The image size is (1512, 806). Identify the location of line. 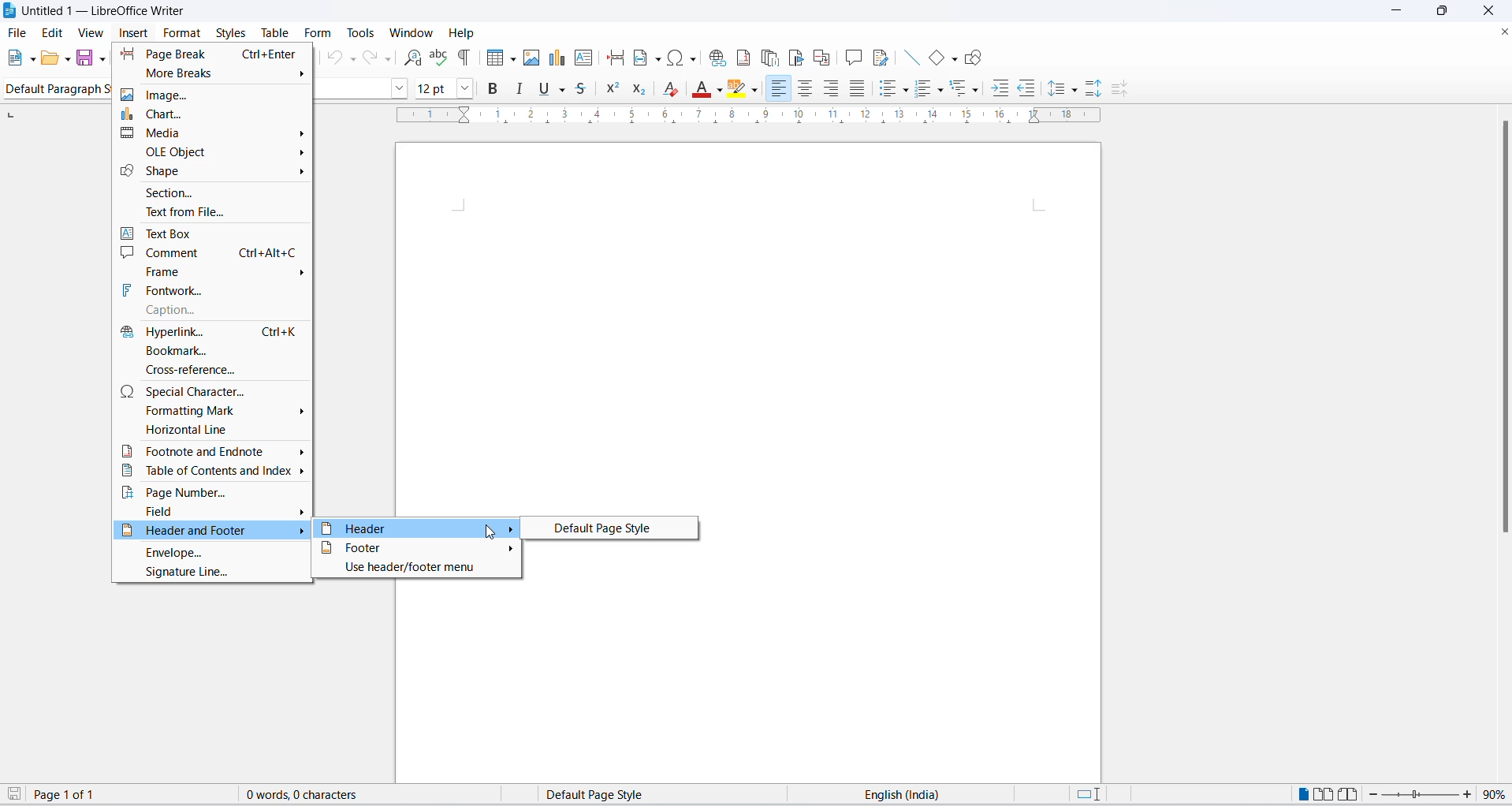
(906, 57).